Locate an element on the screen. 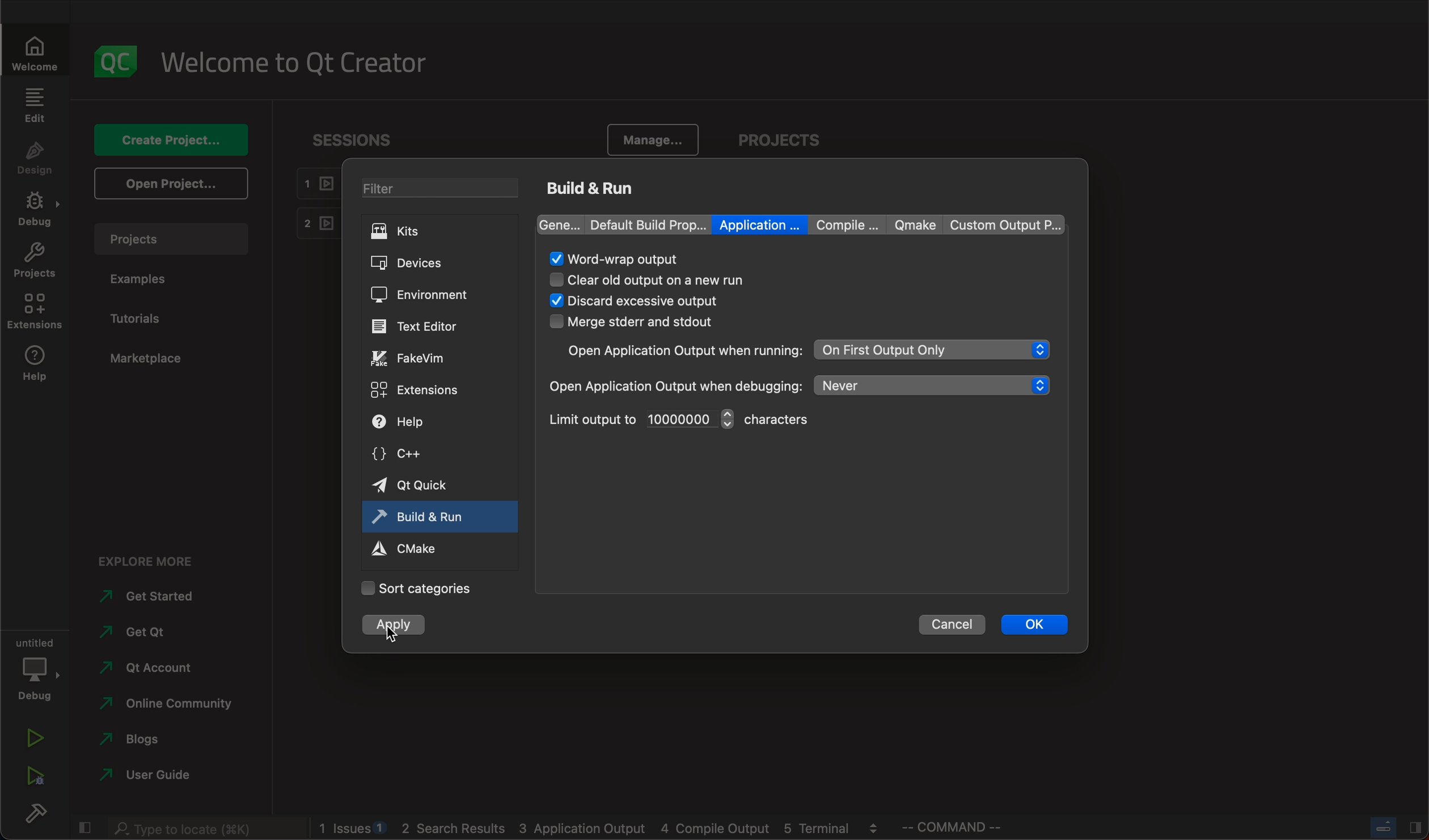  Categories is located at coordinates (424, 587).